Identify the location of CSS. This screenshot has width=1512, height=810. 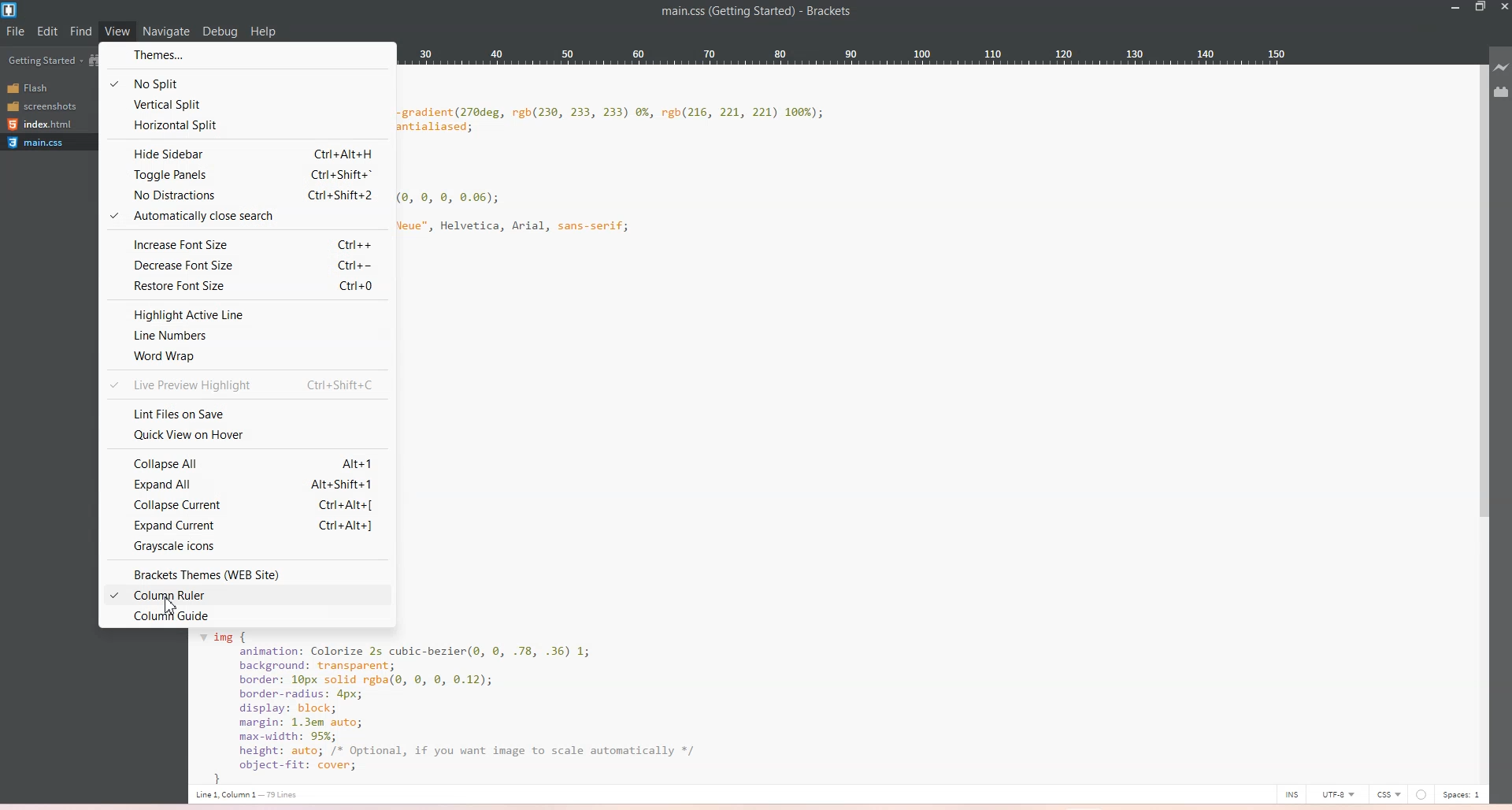
(1386, 793).